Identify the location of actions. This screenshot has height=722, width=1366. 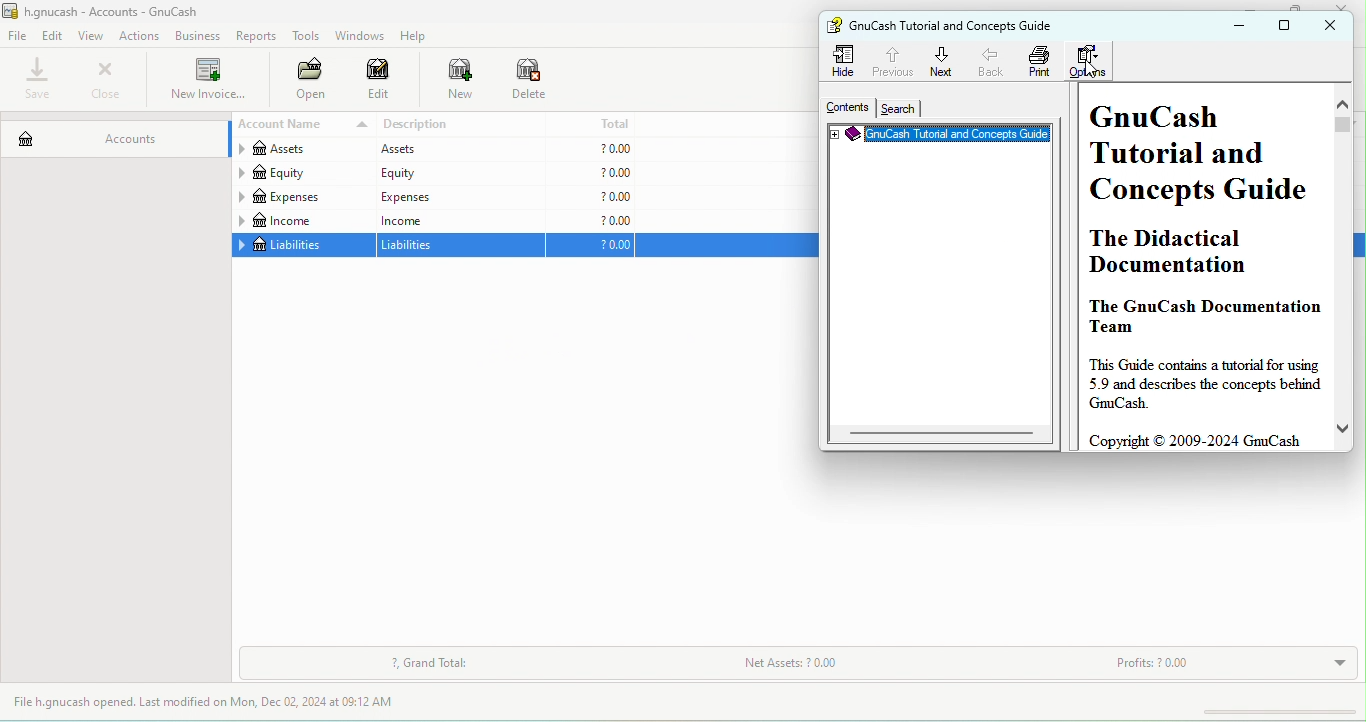
(143, 36).